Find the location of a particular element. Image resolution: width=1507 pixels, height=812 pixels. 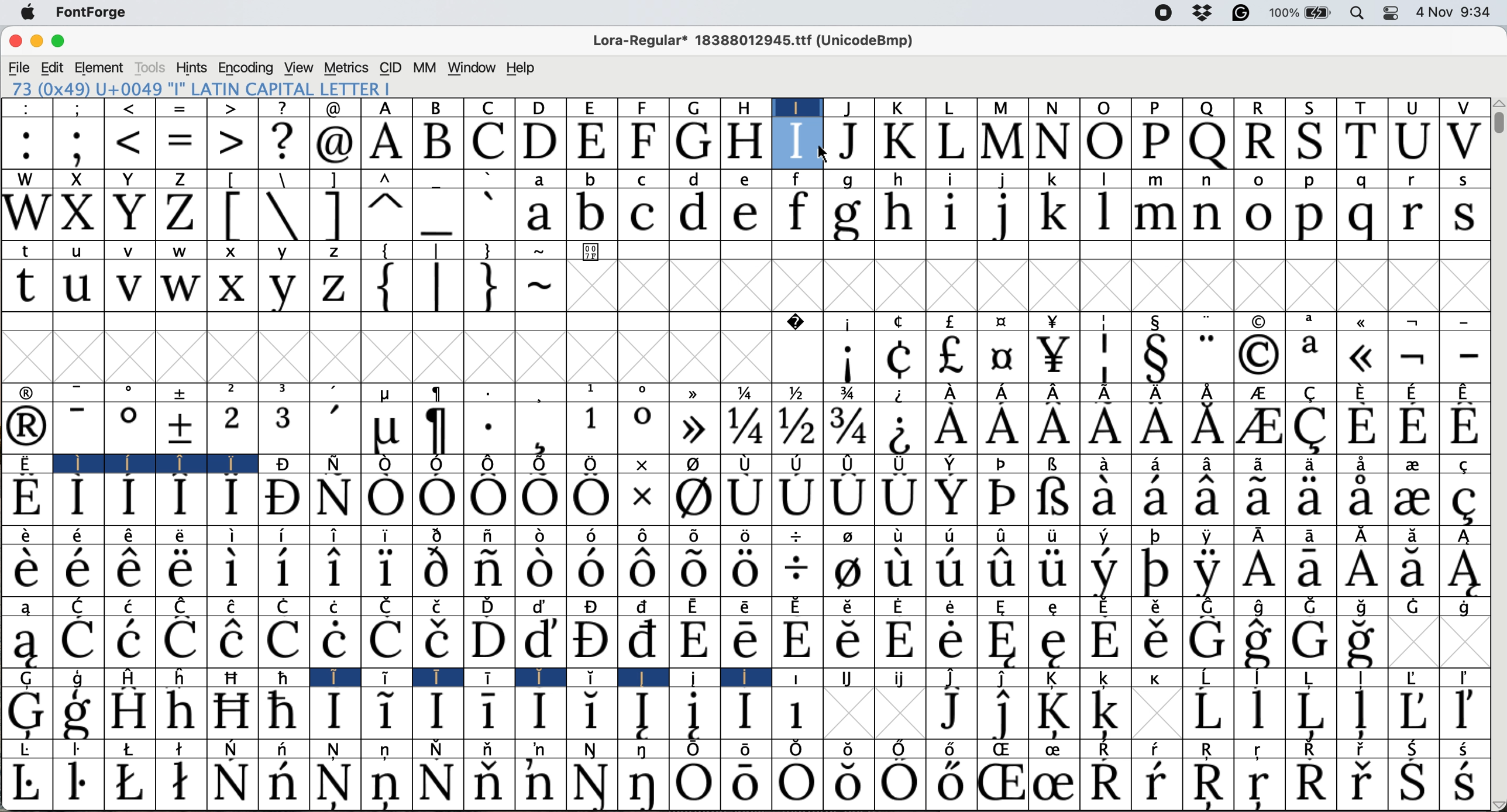

Symbol is located at coordinates (1054, 498).